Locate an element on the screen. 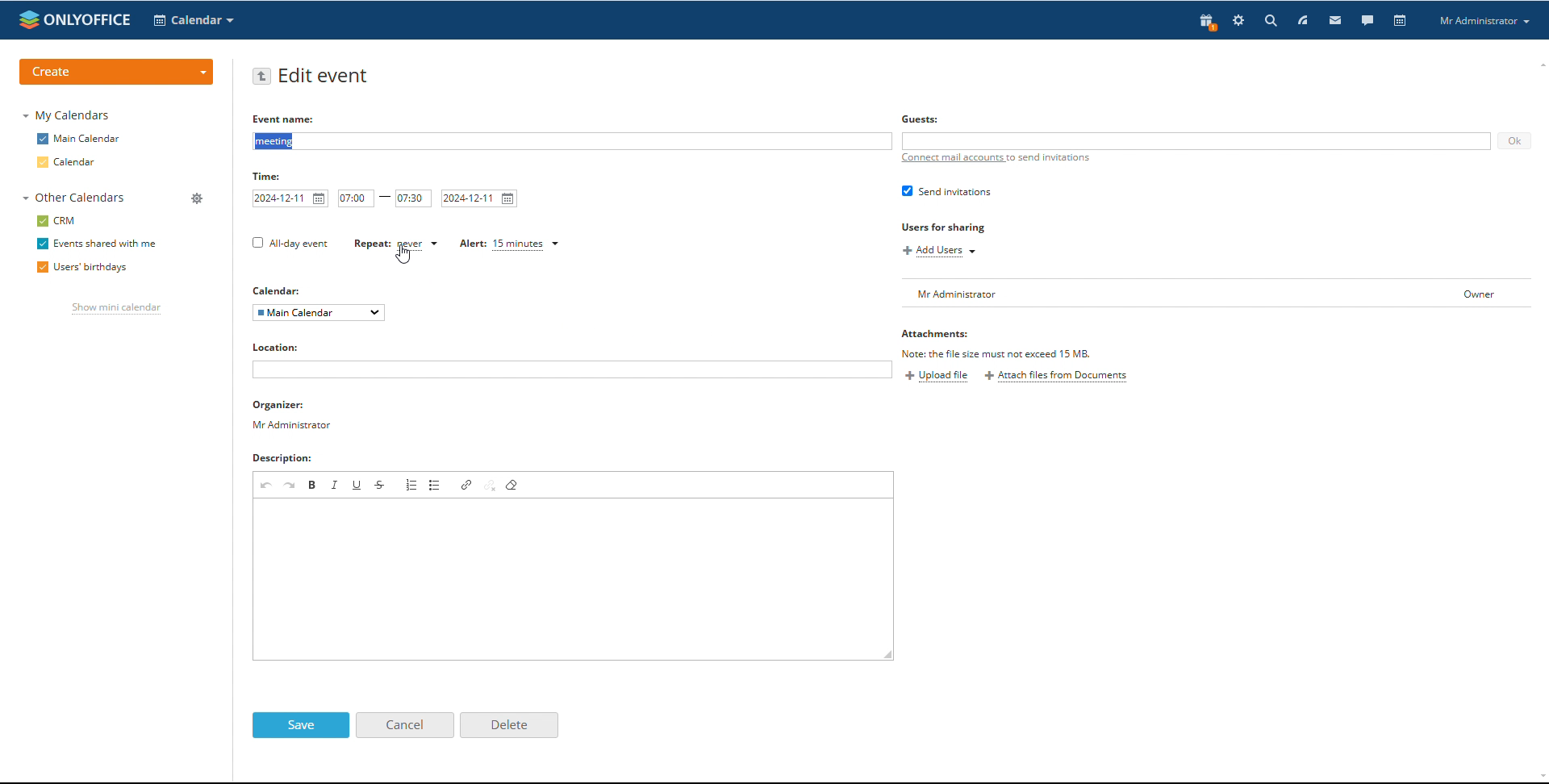  bold is located at coordinates (312, 484).